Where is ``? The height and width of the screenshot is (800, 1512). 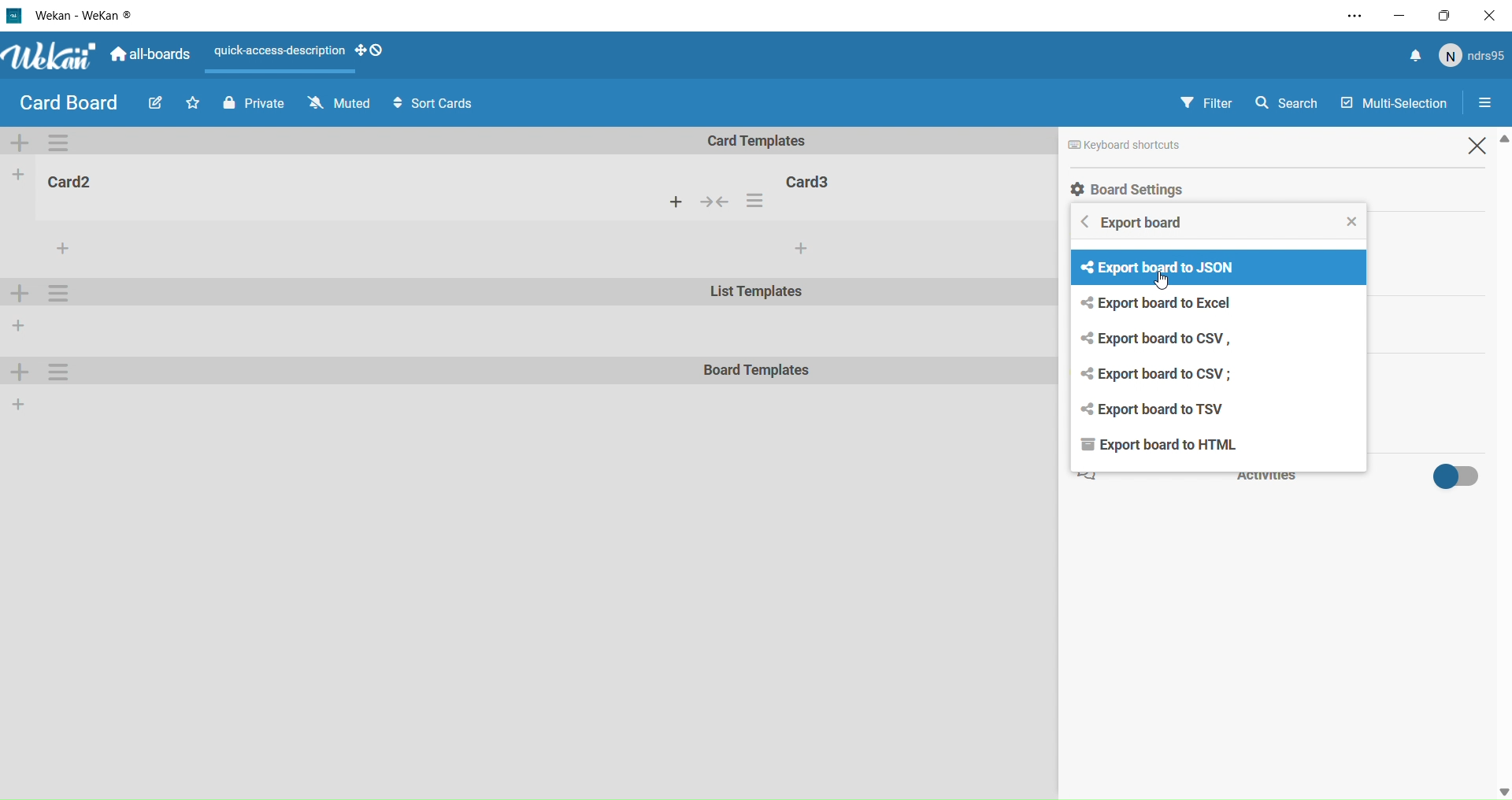
 is located at coordinates (17, 291).